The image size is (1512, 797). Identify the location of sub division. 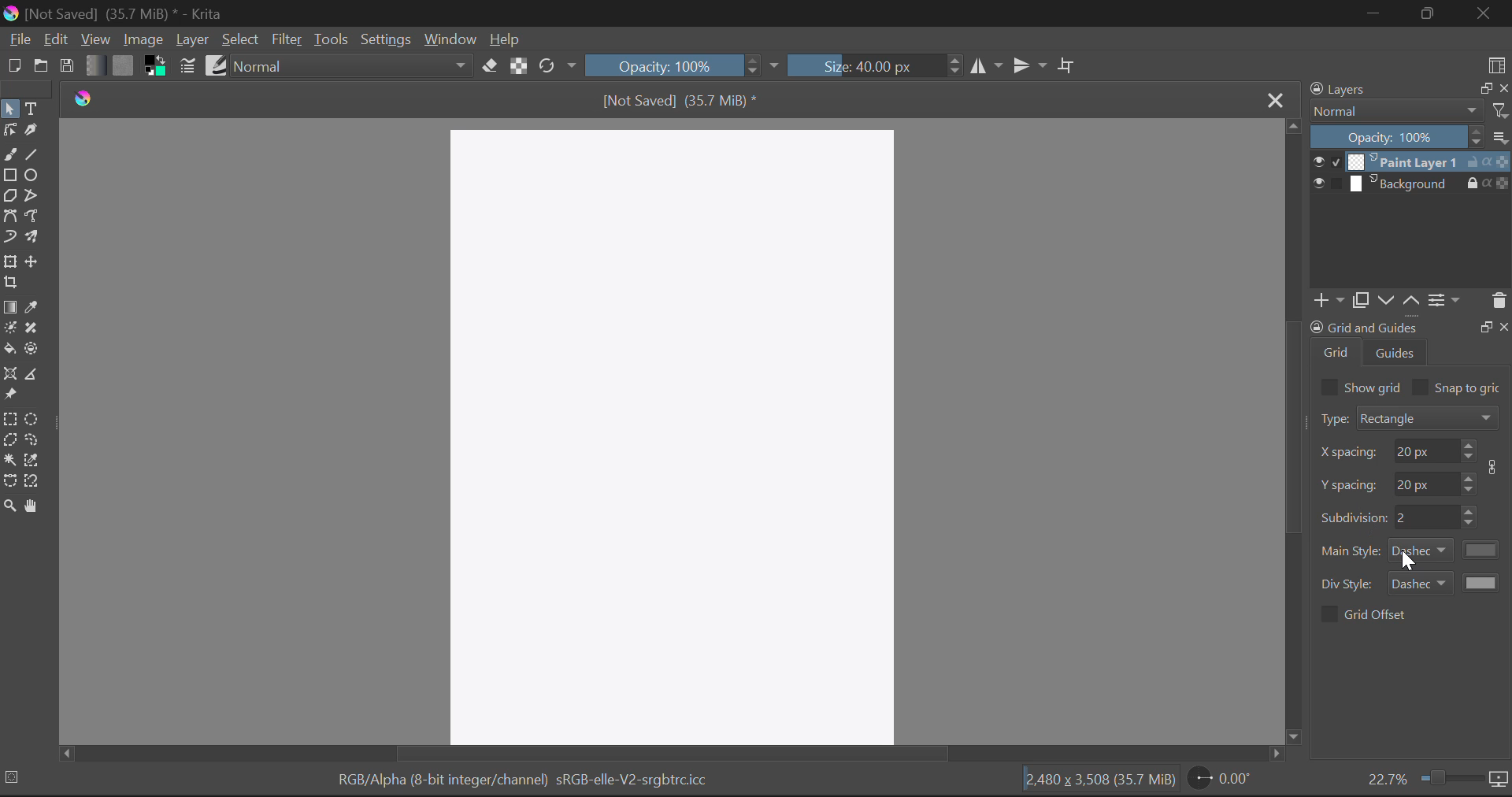
(1425, 517).